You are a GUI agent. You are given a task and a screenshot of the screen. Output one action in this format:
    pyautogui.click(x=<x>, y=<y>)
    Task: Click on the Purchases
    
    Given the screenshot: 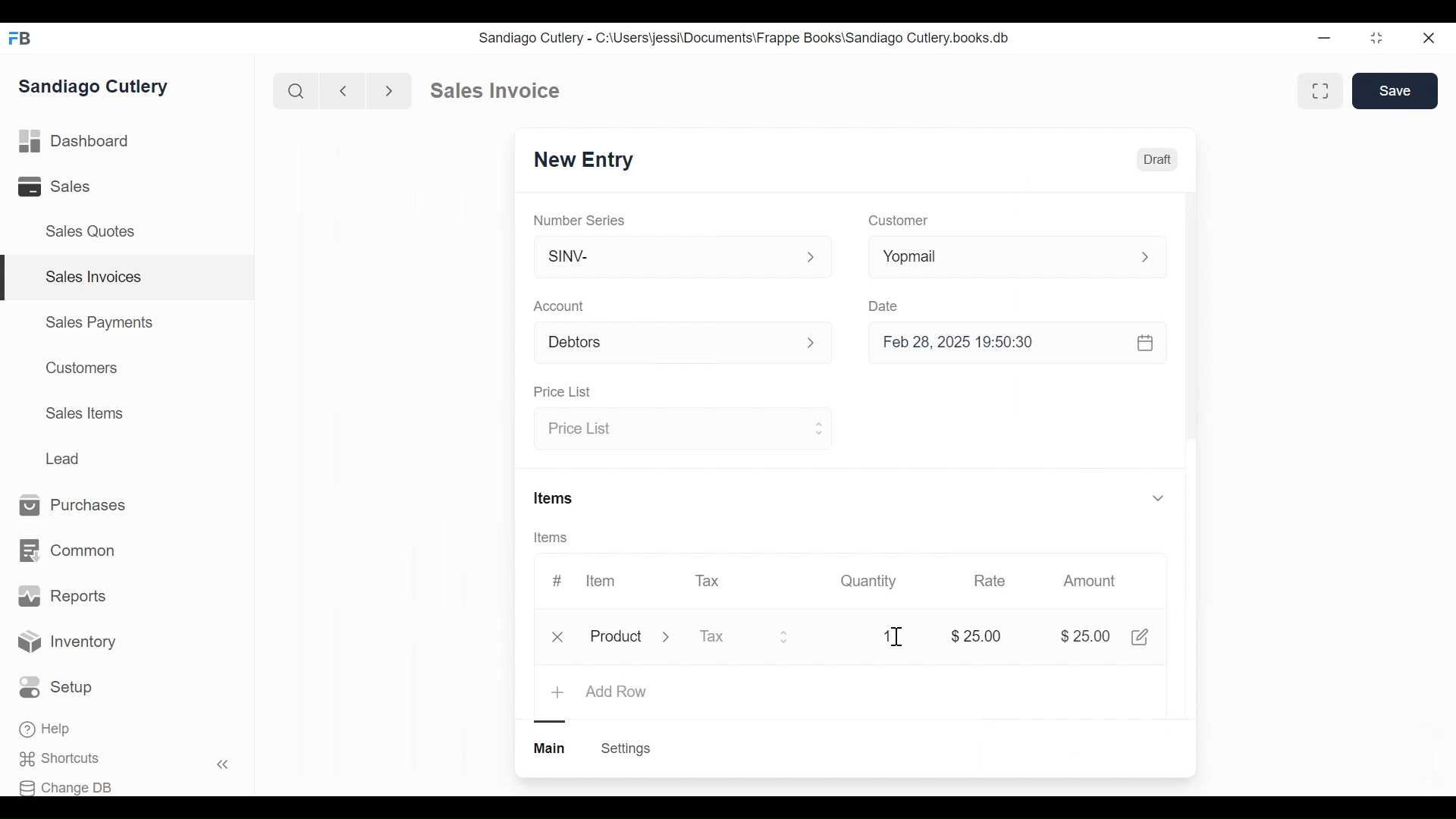 What is the action you would take?
    pyautogui.click(x=80, y=506)
    